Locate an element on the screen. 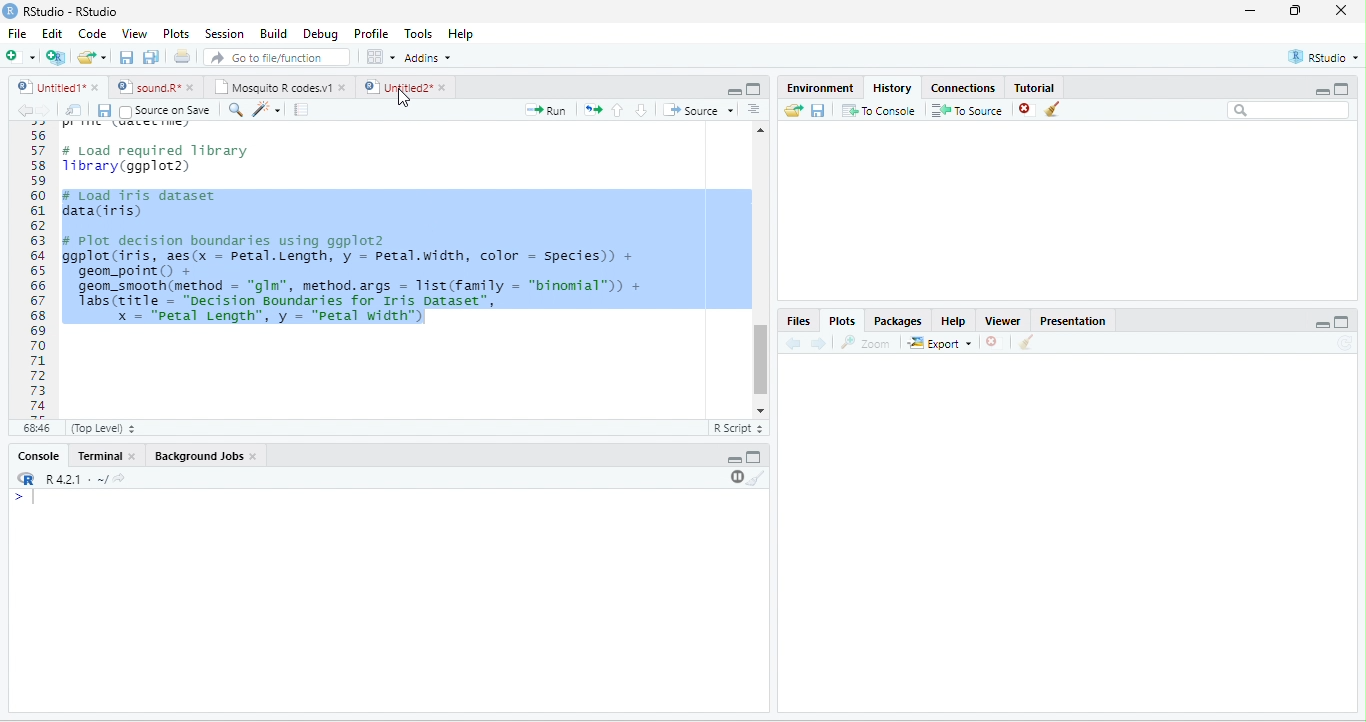 The height and width of the screenshot is (722, 1366). close is located at coordinates (991, 342).